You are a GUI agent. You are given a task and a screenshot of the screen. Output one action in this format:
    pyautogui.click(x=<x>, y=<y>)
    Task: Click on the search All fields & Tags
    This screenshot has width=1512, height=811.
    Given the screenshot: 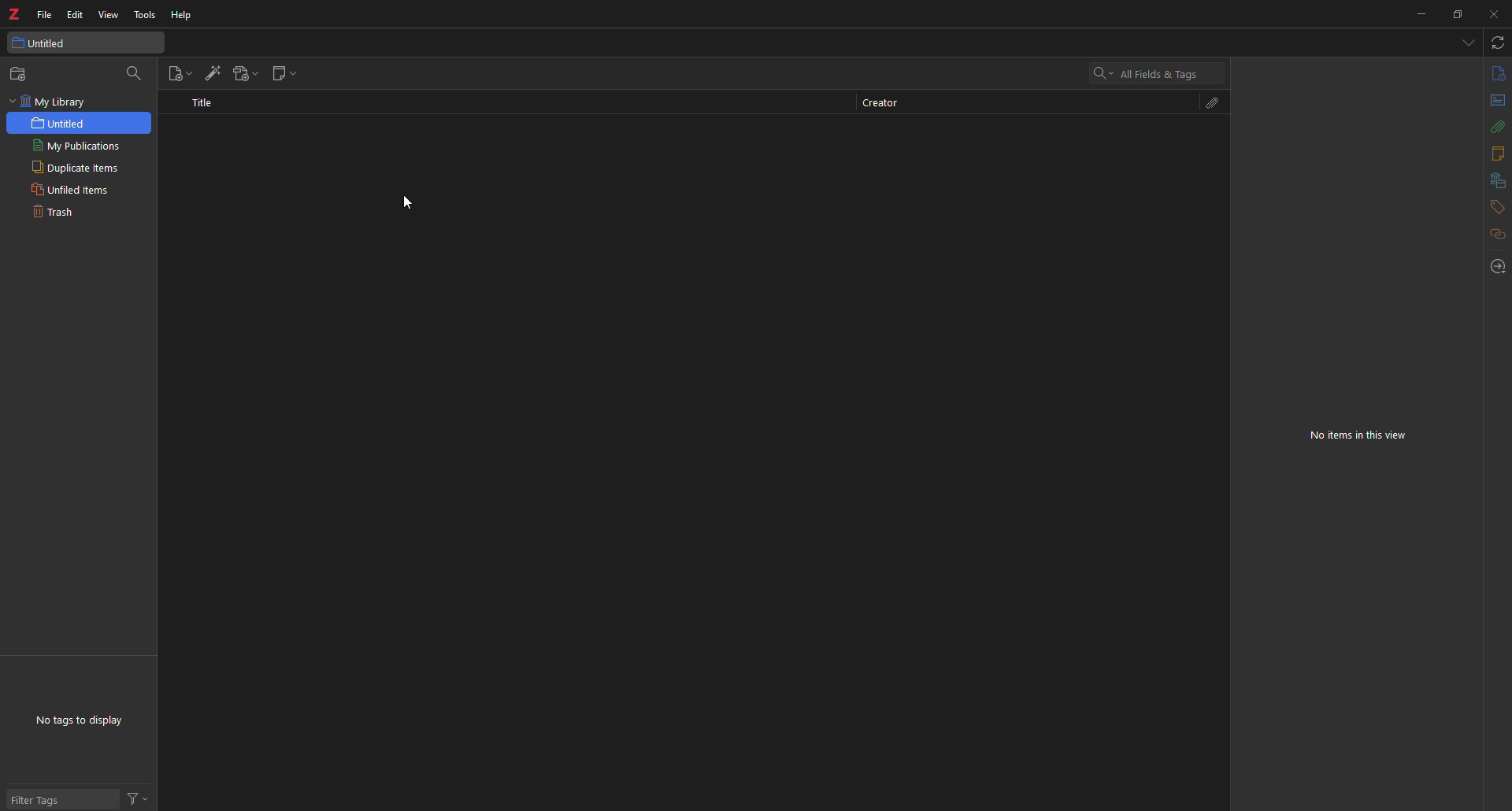 What is the action you would take?
    pyautogui.click(x=1154, y=73)
    